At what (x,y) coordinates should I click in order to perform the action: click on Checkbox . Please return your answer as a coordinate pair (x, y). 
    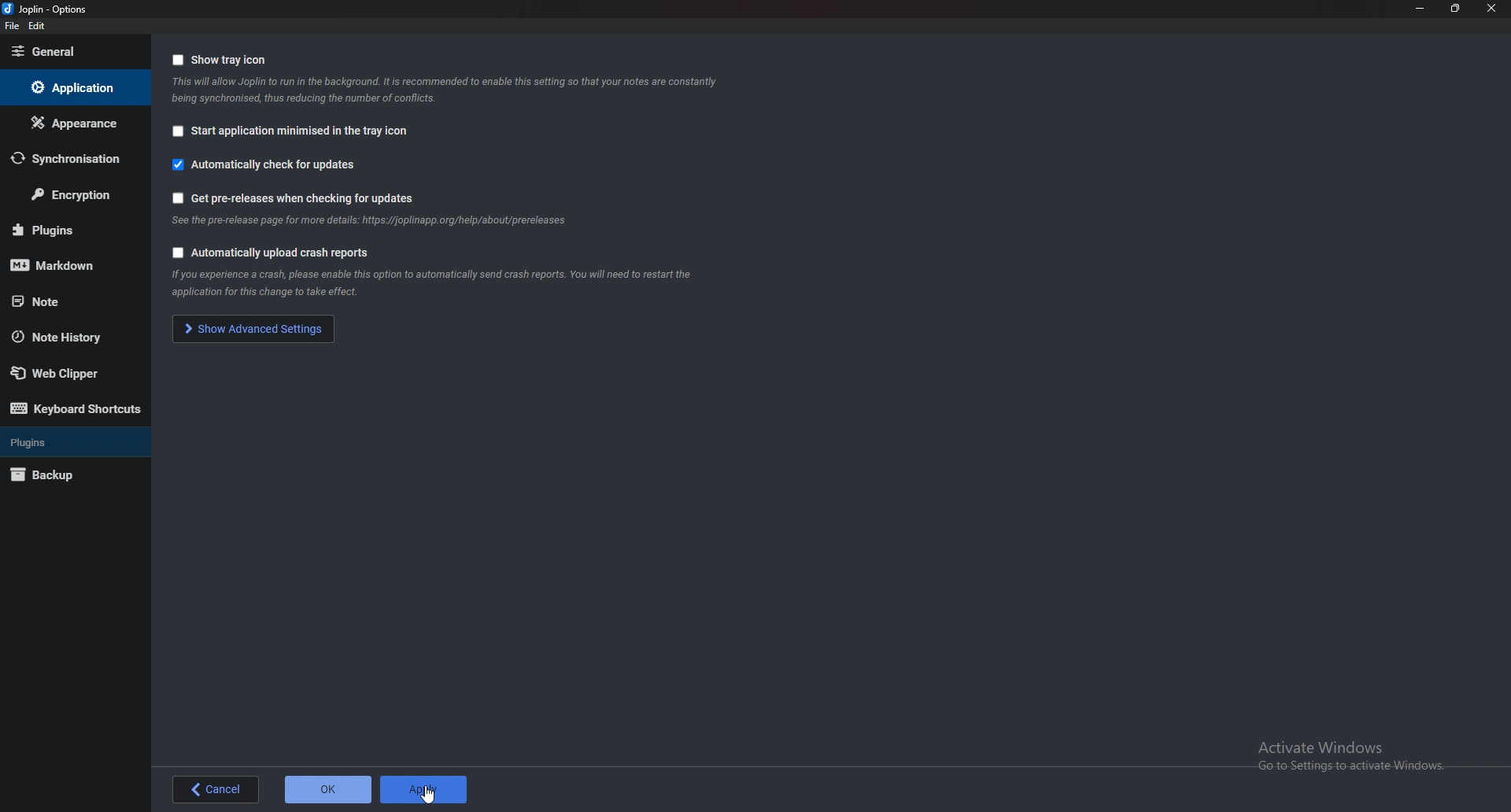
    Looking at the image, I should click on (177, 131).